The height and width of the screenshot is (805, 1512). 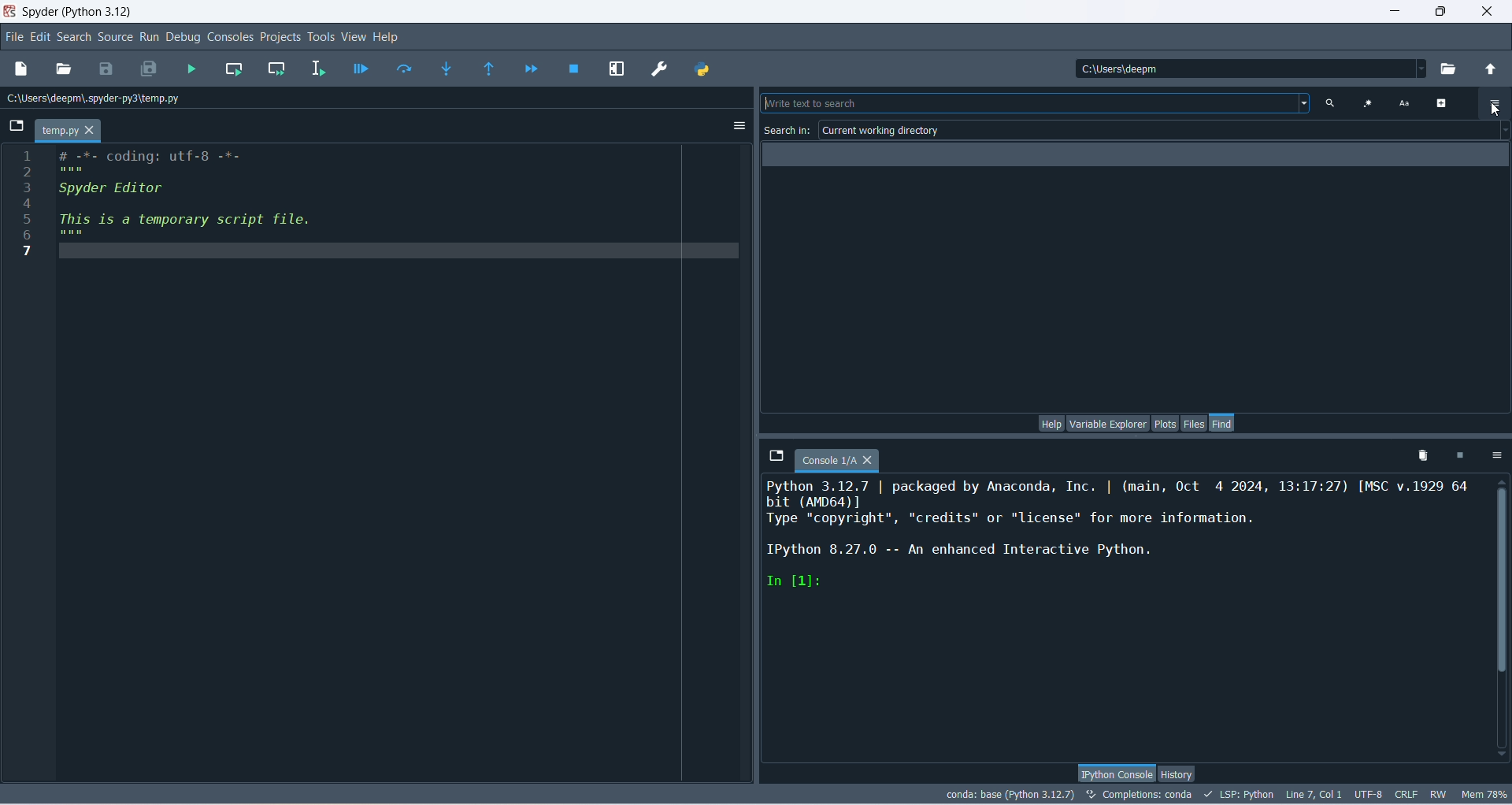 What do you see at coordinates (1391, 9) in the screenshot?
I see `minimize` at bounding box center [1391, 9].